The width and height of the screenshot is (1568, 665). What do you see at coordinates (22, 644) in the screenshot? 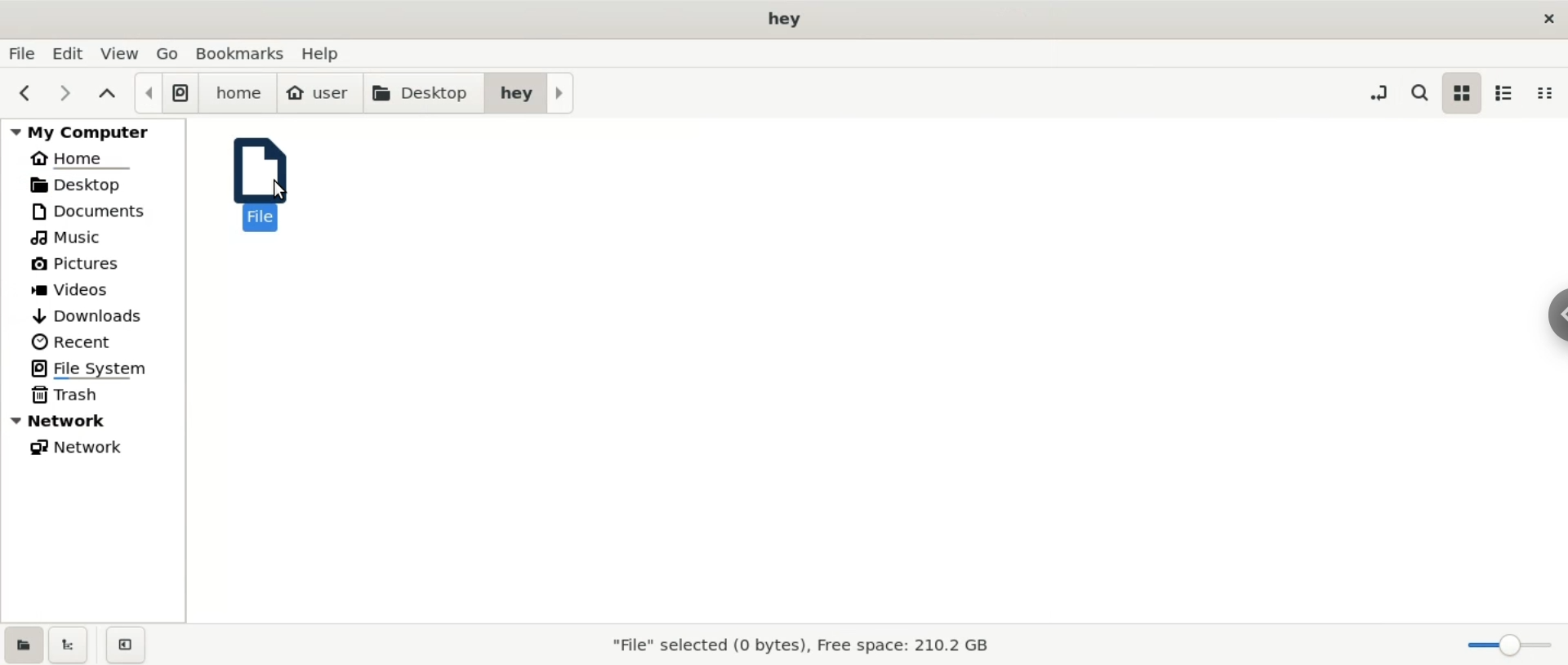
I see `show places` at bounding box center [22, 644].